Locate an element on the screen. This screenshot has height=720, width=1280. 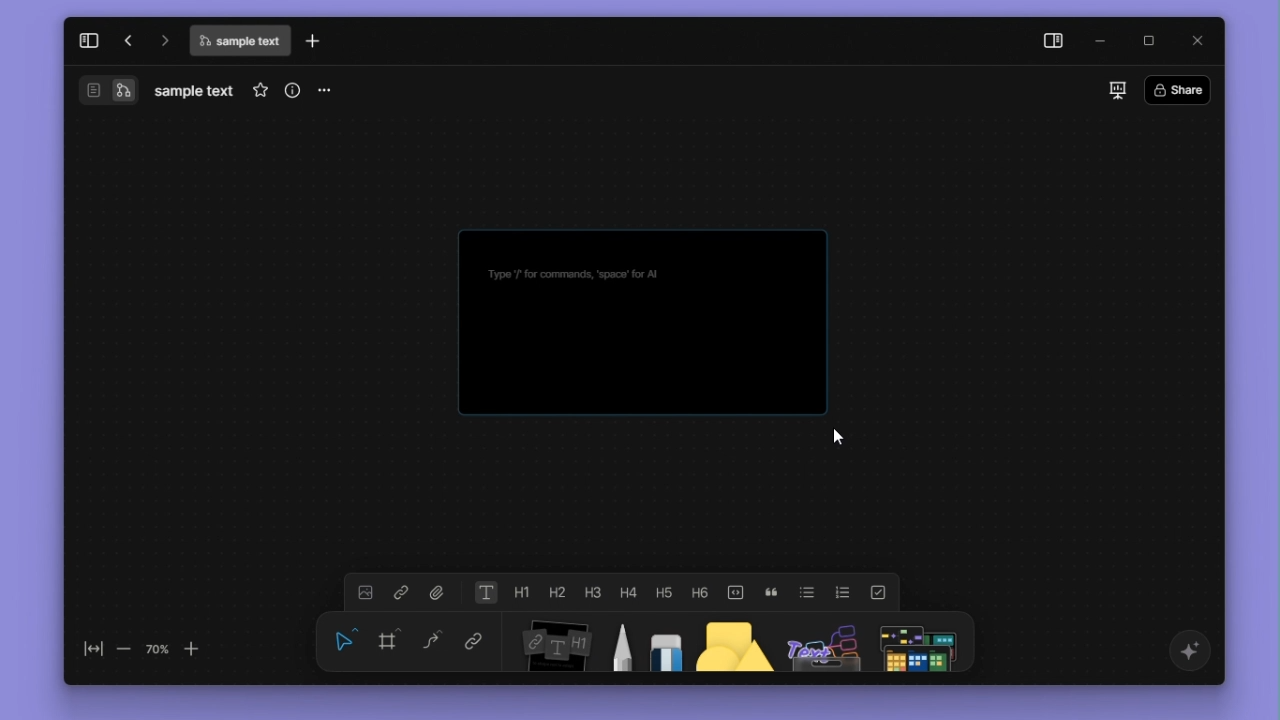
file name is located at coordinates (194, 91).